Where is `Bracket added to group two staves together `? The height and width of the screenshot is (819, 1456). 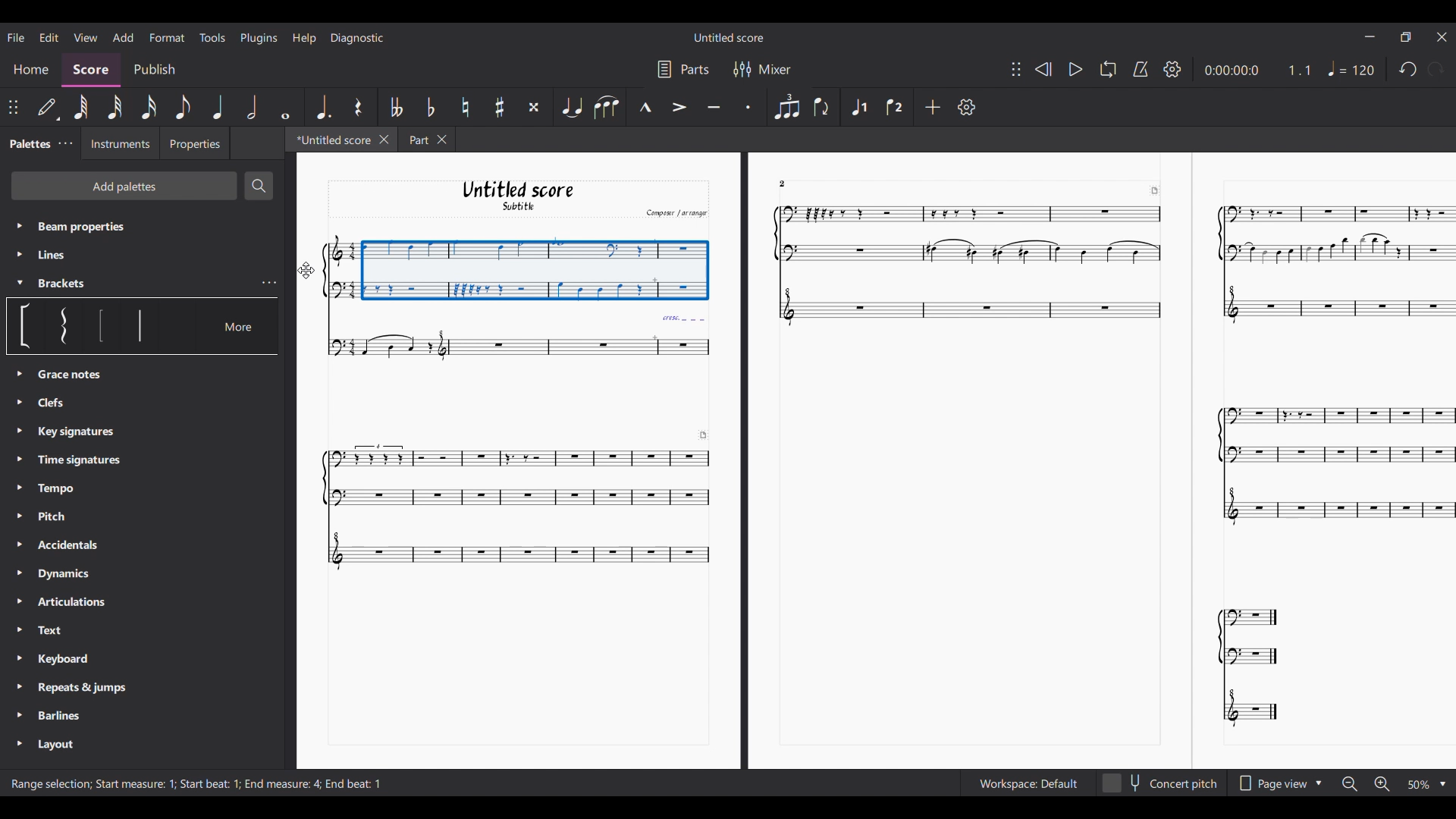 Bracket added to group two staves together  is located at coordinates (516, 268).